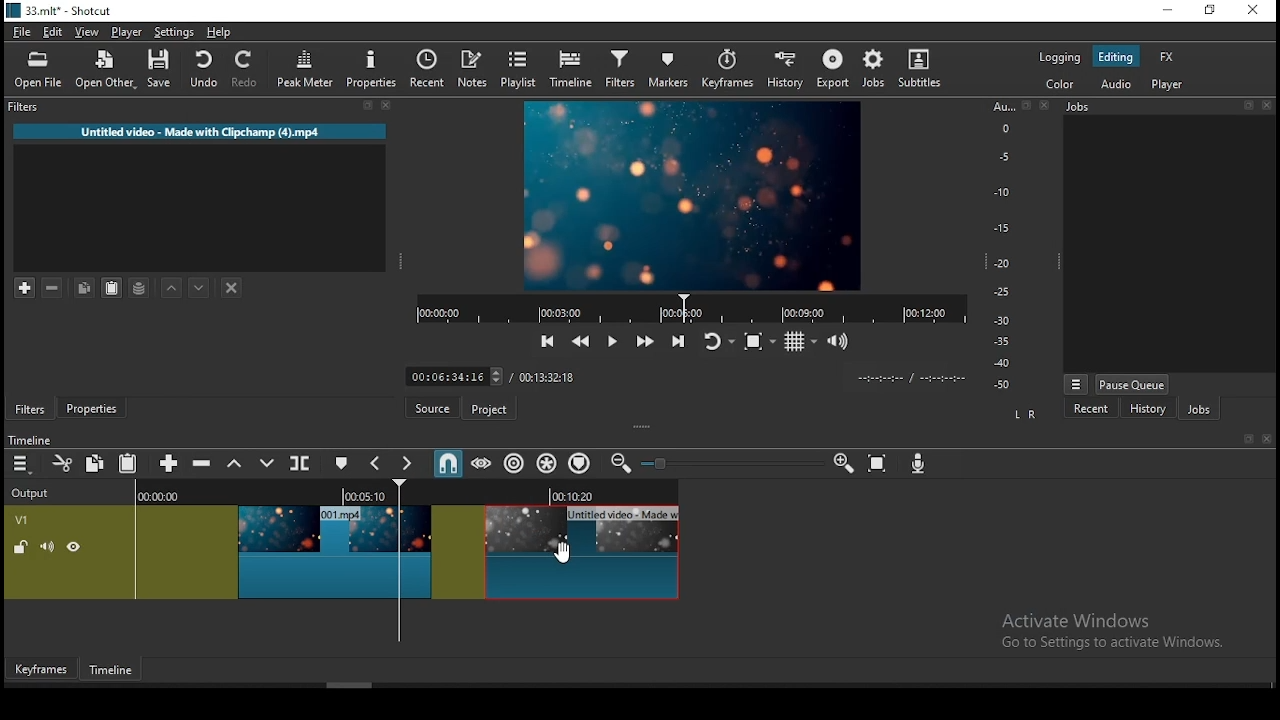 This screenshot has height=720, width=1280. I want to click on menu, so click(21, 464).